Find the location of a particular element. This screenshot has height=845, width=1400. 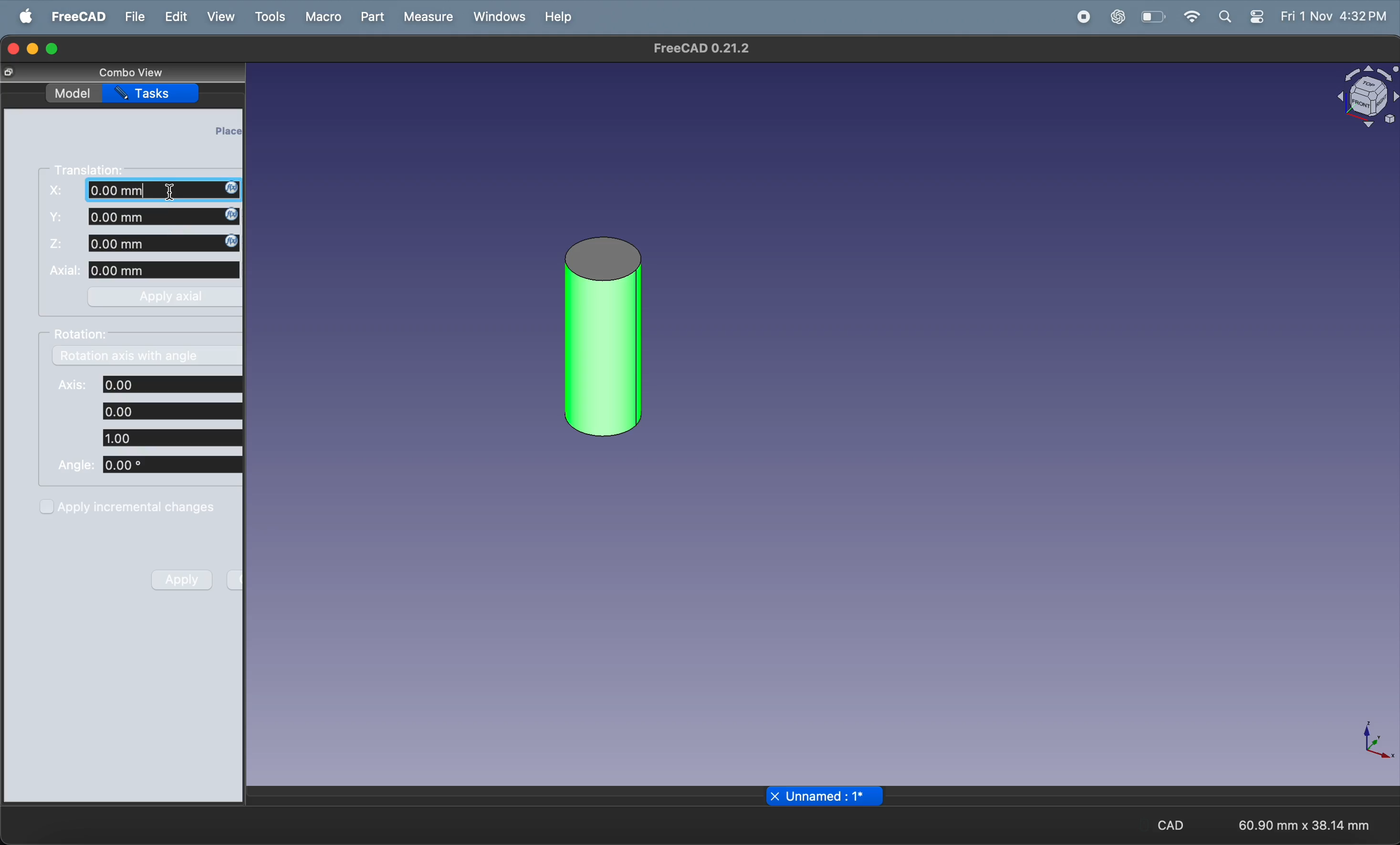

Z: is located at coordinates (58, 243).